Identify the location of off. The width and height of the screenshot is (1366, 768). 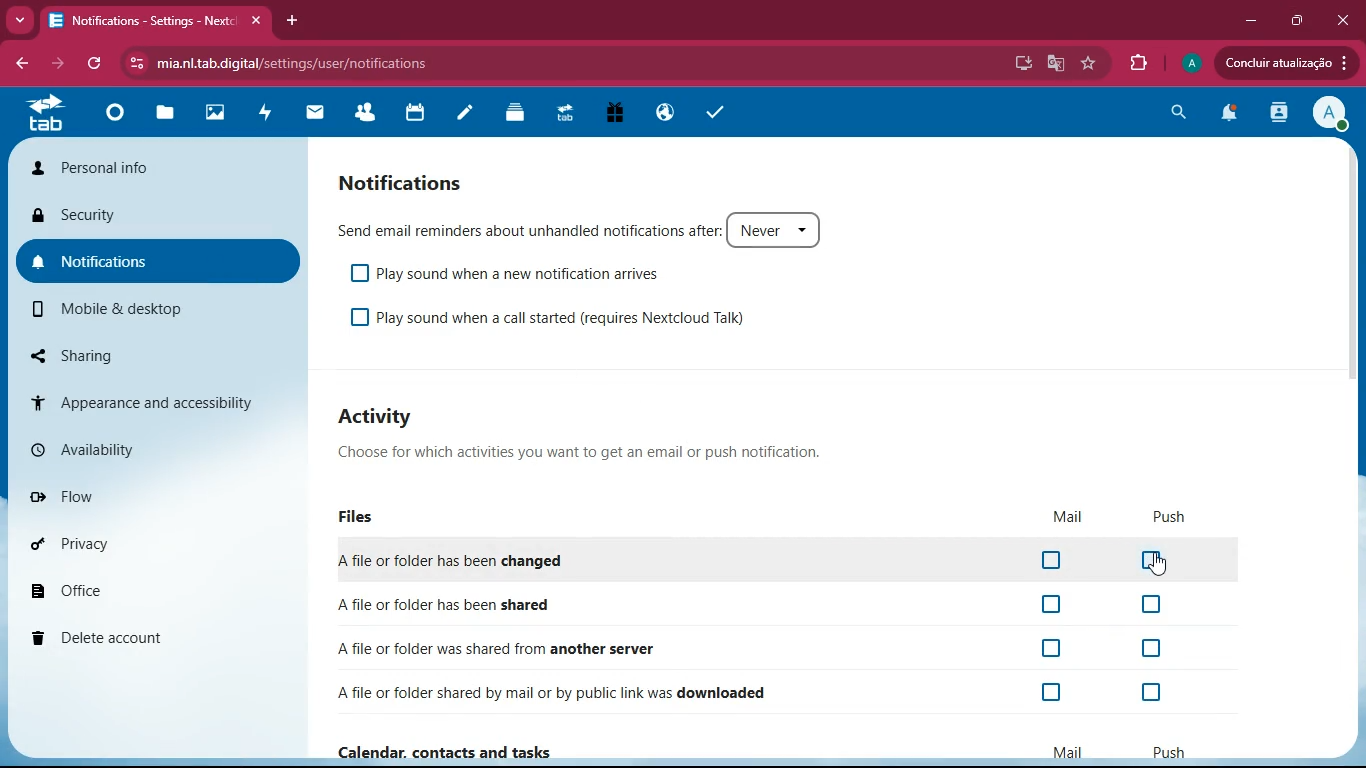
(1054, 649).